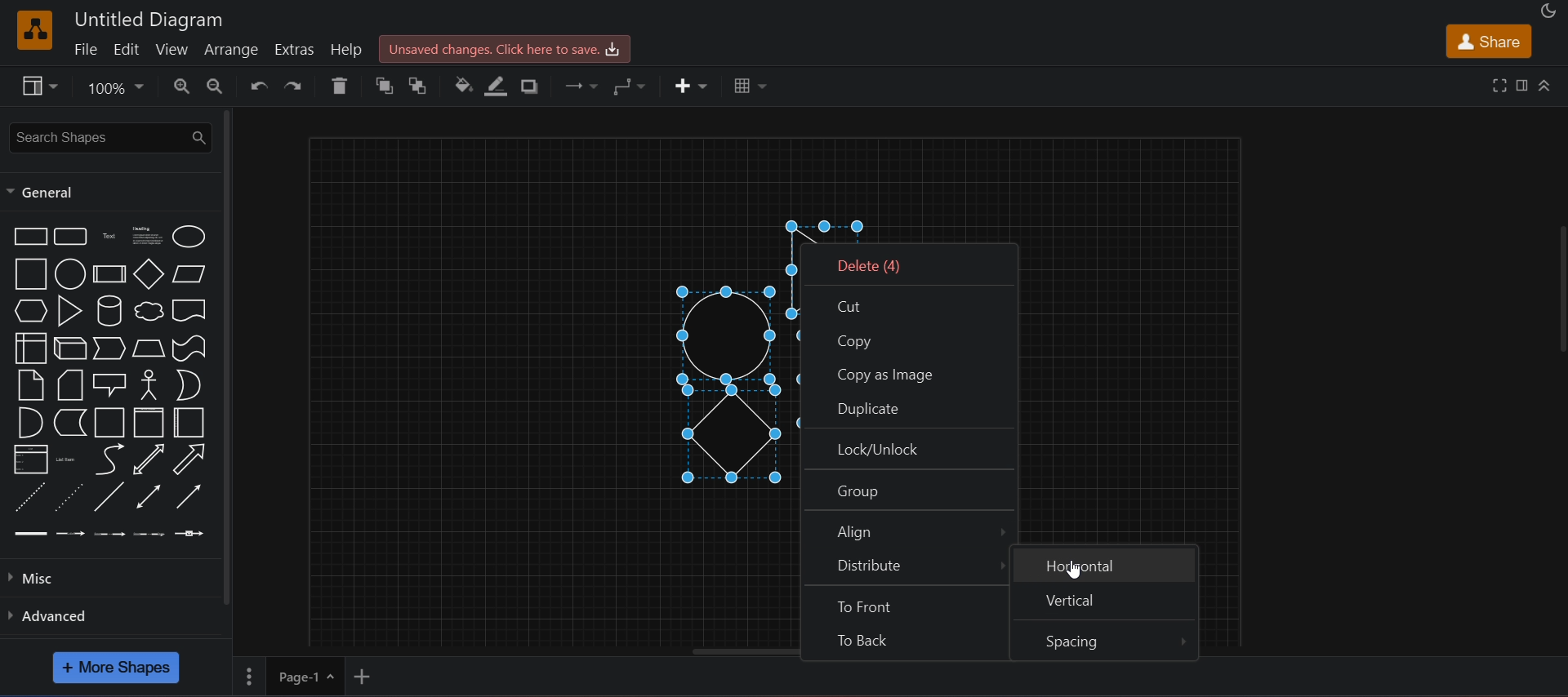 The image size is (1568, 697). I want to click on duplicate, so click(906, 407).